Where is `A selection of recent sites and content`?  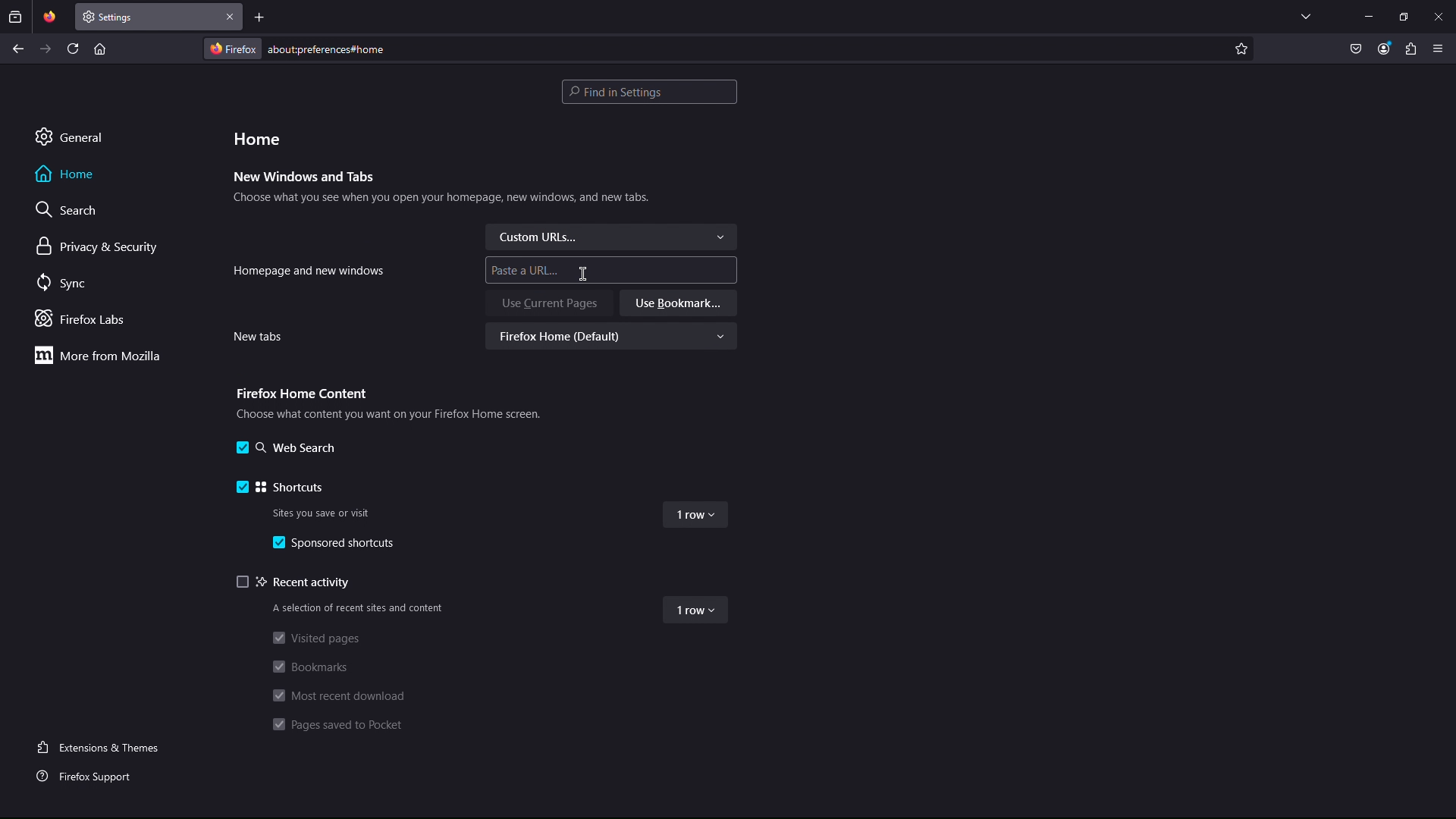
A selection of recent sites and content is located at coordinates (356, 608).